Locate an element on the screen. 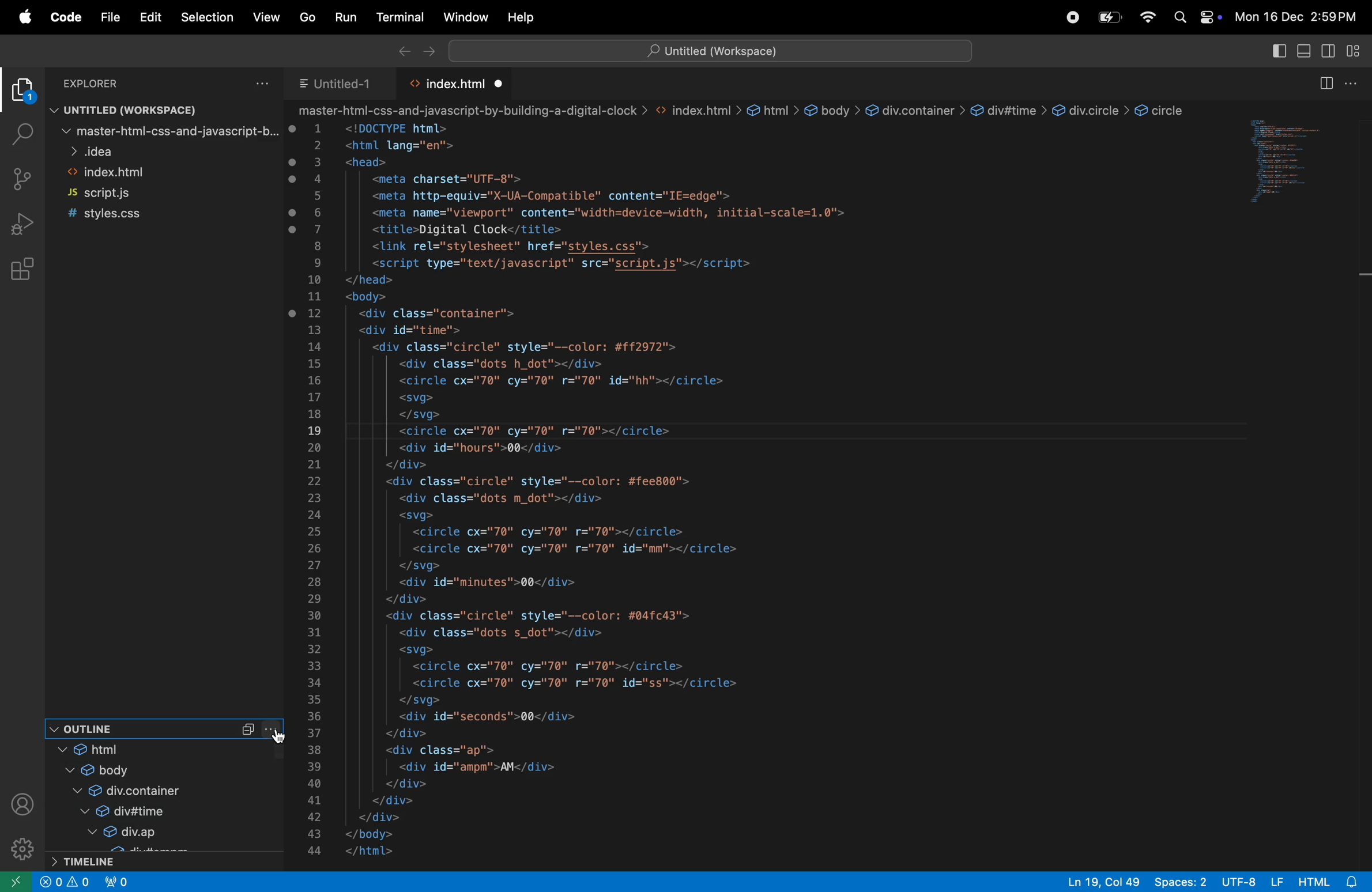 This screenshot has height=892, width=1372. body is located at coordinates (148, 770).